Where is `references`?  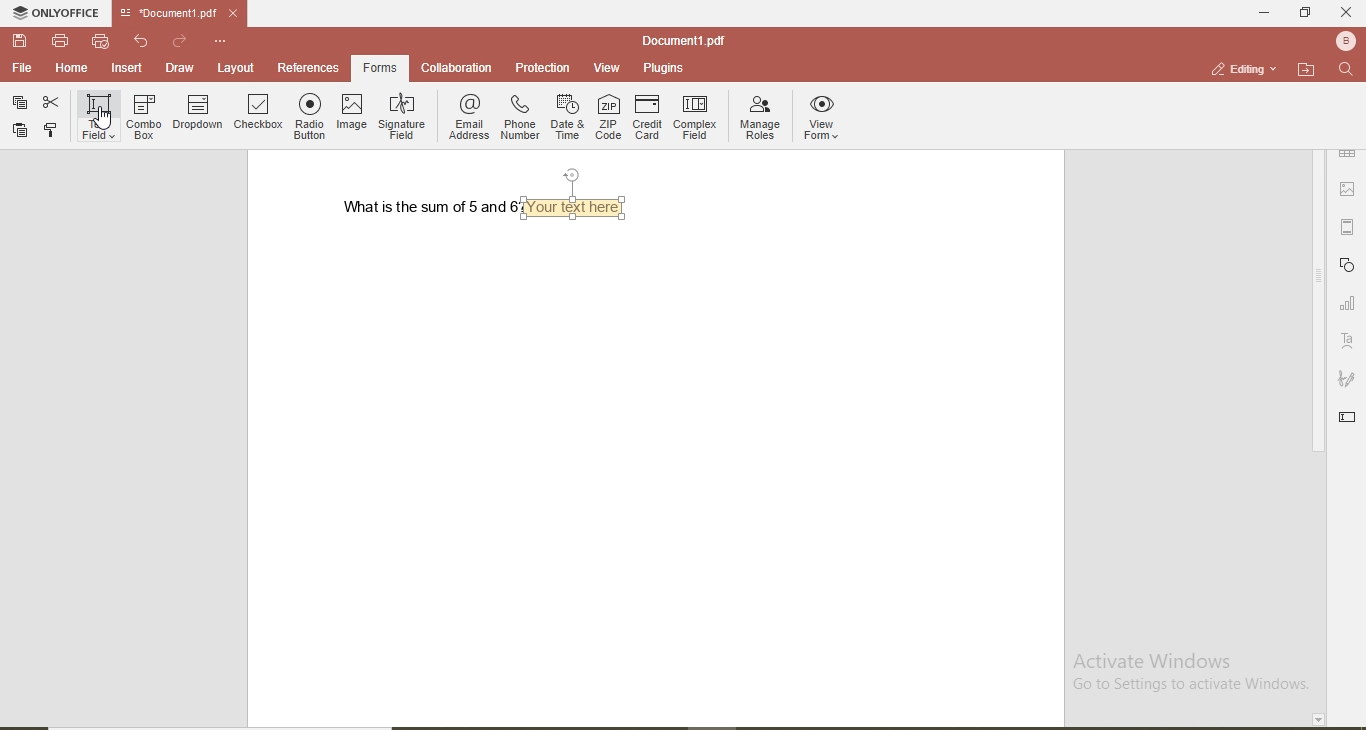
references is located at coordinates (309, 69).